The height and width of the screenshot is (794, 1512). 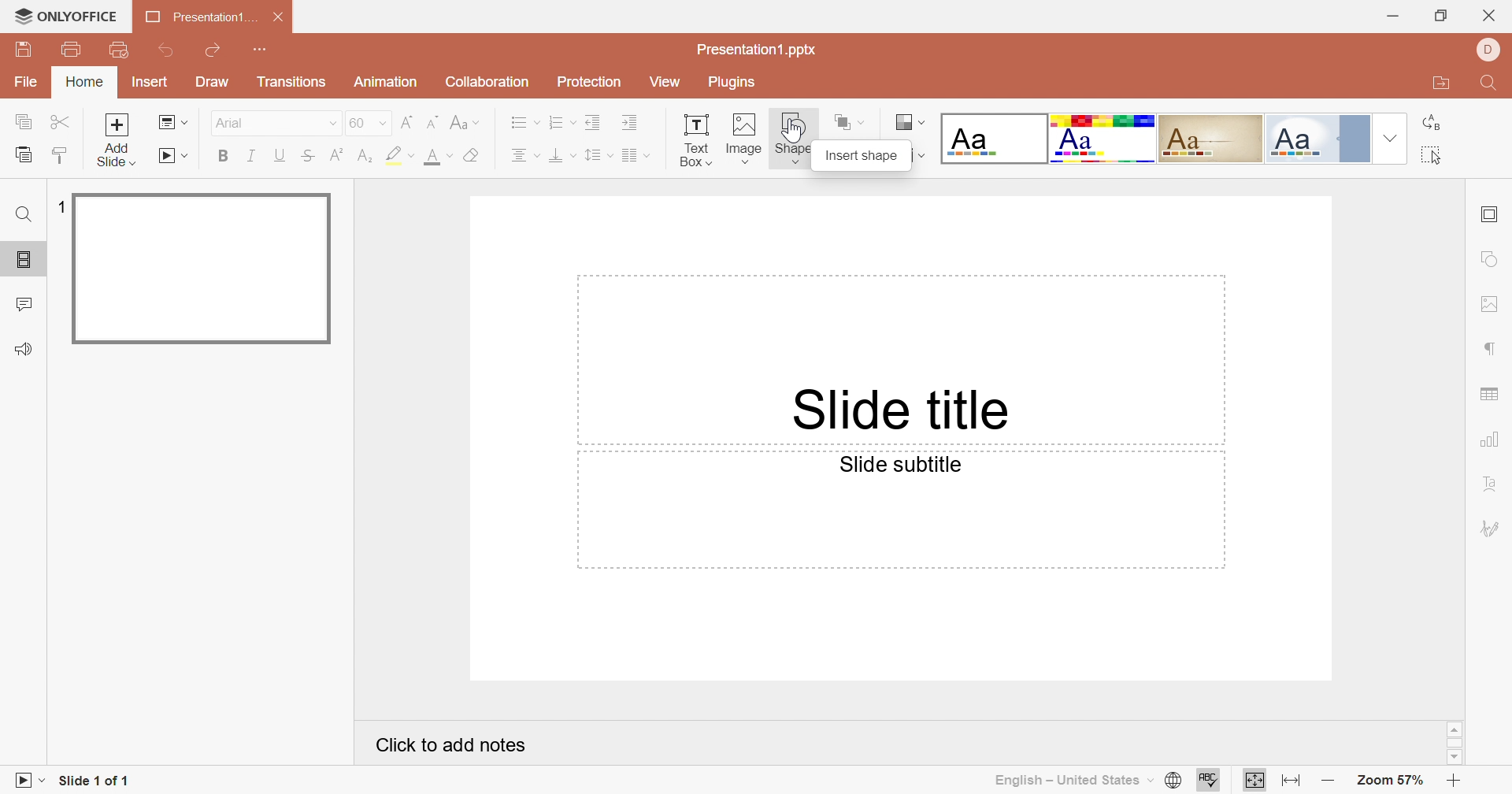 I want to click on Table settings, so click(x=1489, y=395).